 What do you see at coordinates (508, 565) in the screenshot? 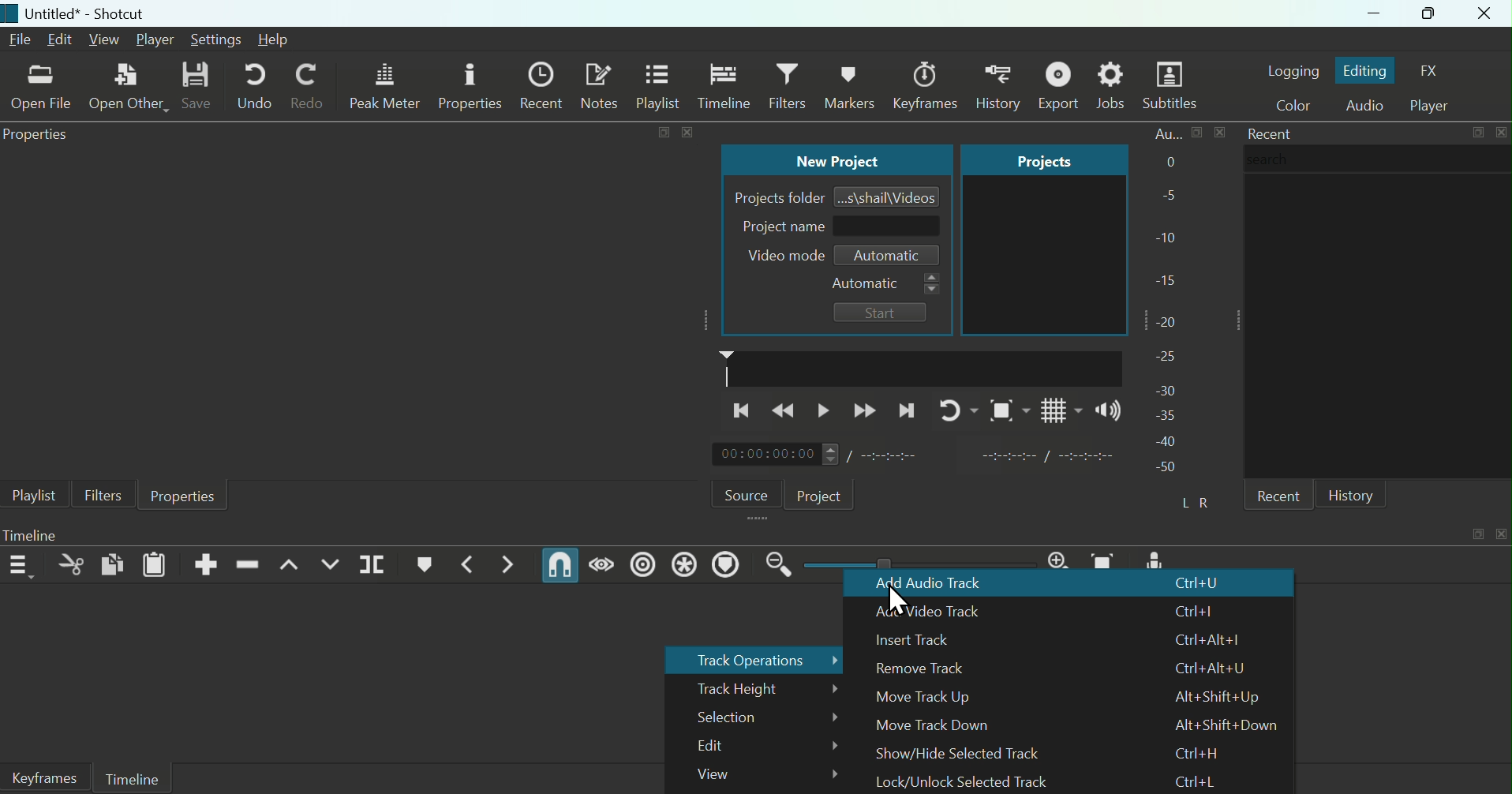
I see `Next Marker` at bounding box center [508, 565].